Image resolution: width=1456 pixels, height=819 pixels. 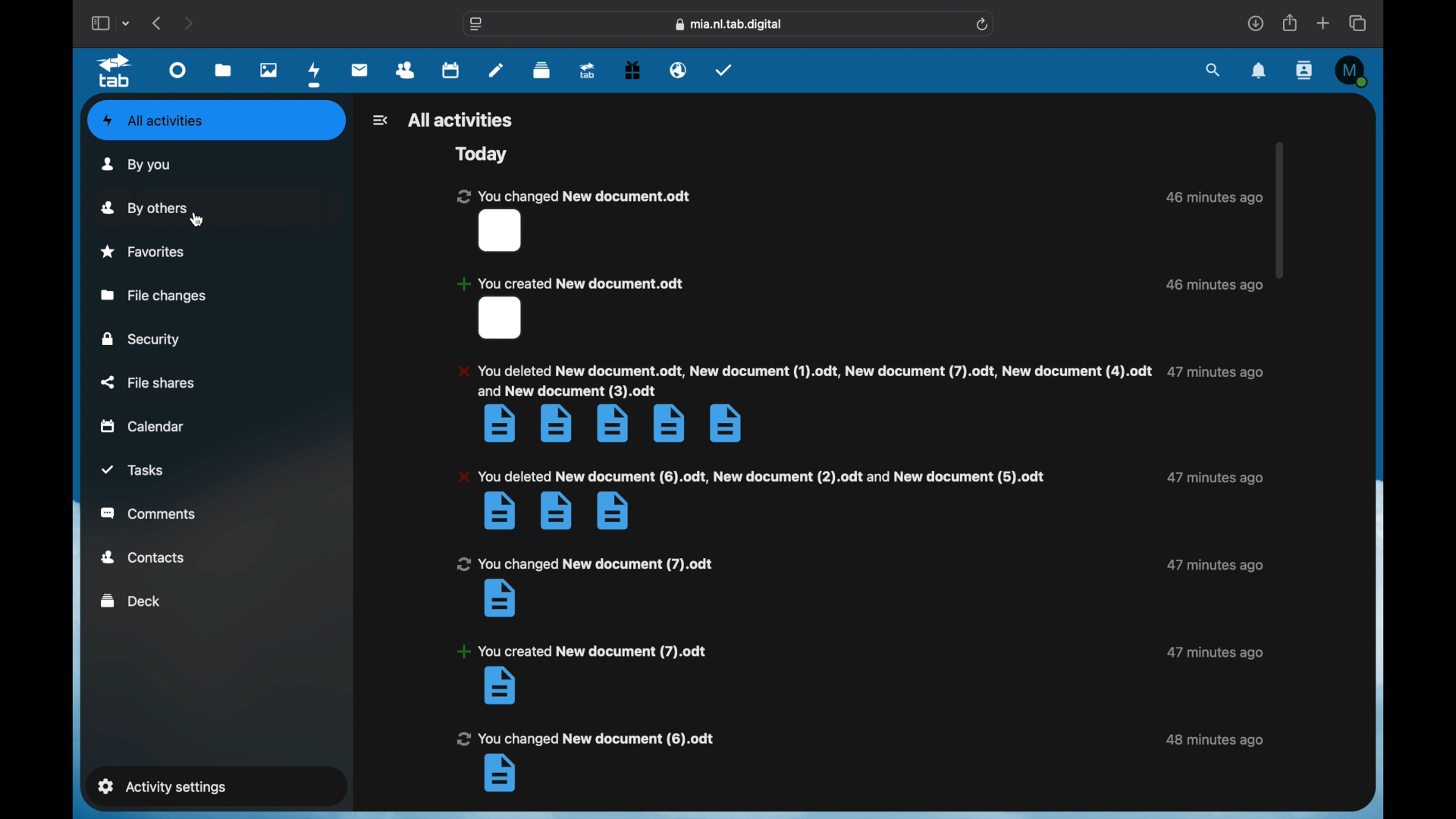 I want to click on all , so click(x=460, y=120).